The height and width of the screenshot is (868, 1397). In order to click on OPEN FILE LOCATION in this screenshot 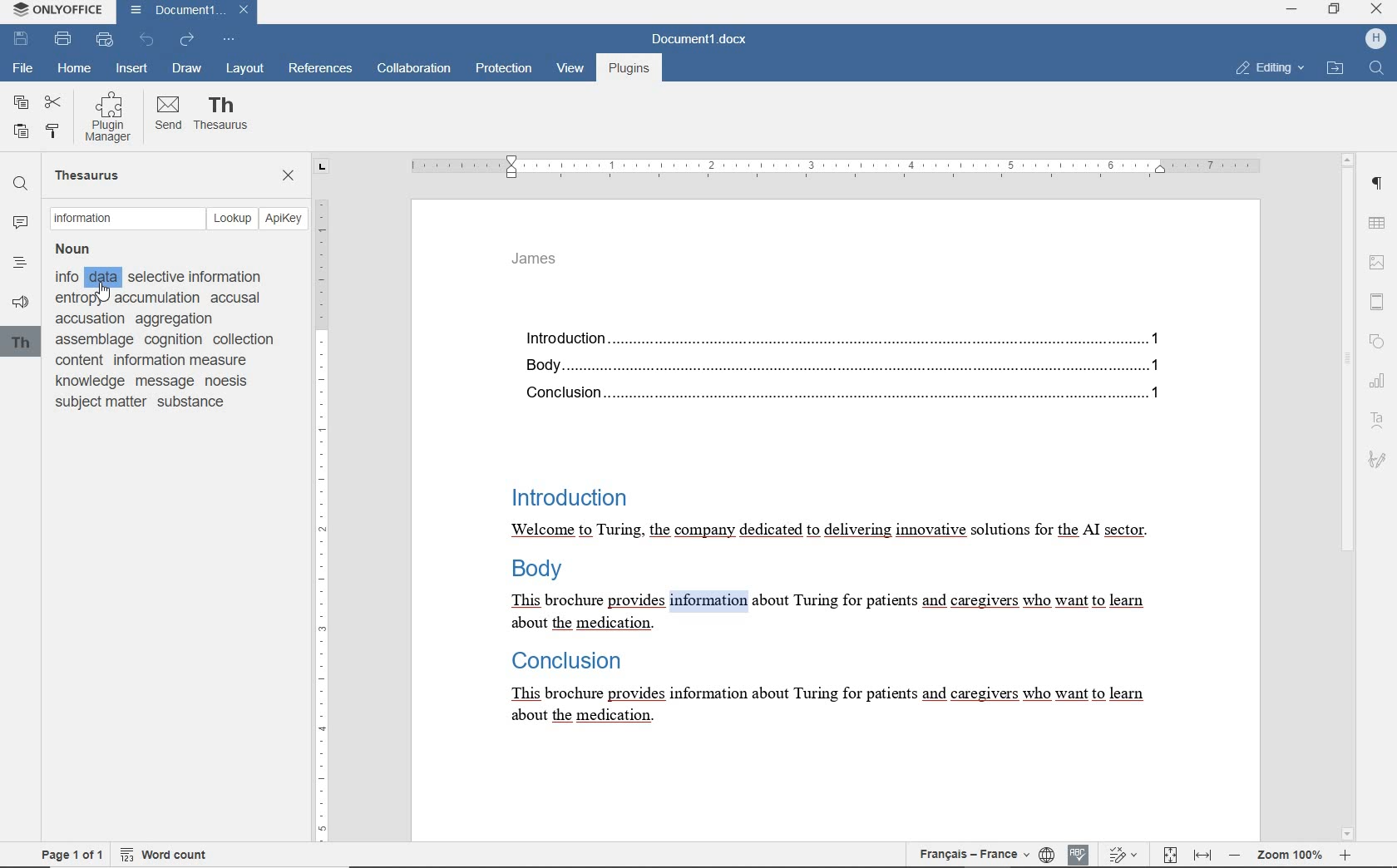, I will do `click(1335, 70)`.